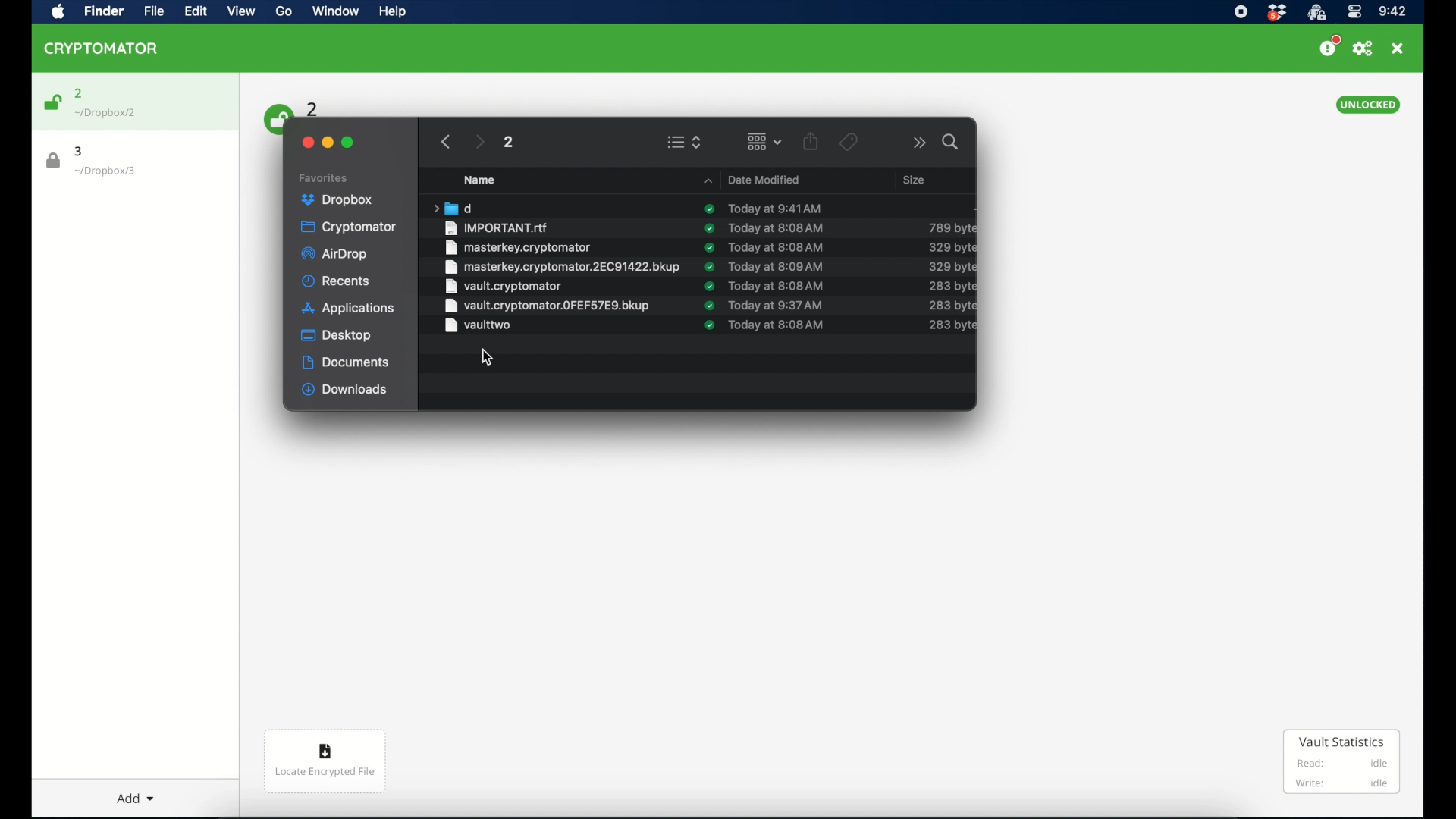 The image size is (1456, 819). Describe the element at coordinates (275, 118) in the screenshot. I see `unlock icon` at that location.